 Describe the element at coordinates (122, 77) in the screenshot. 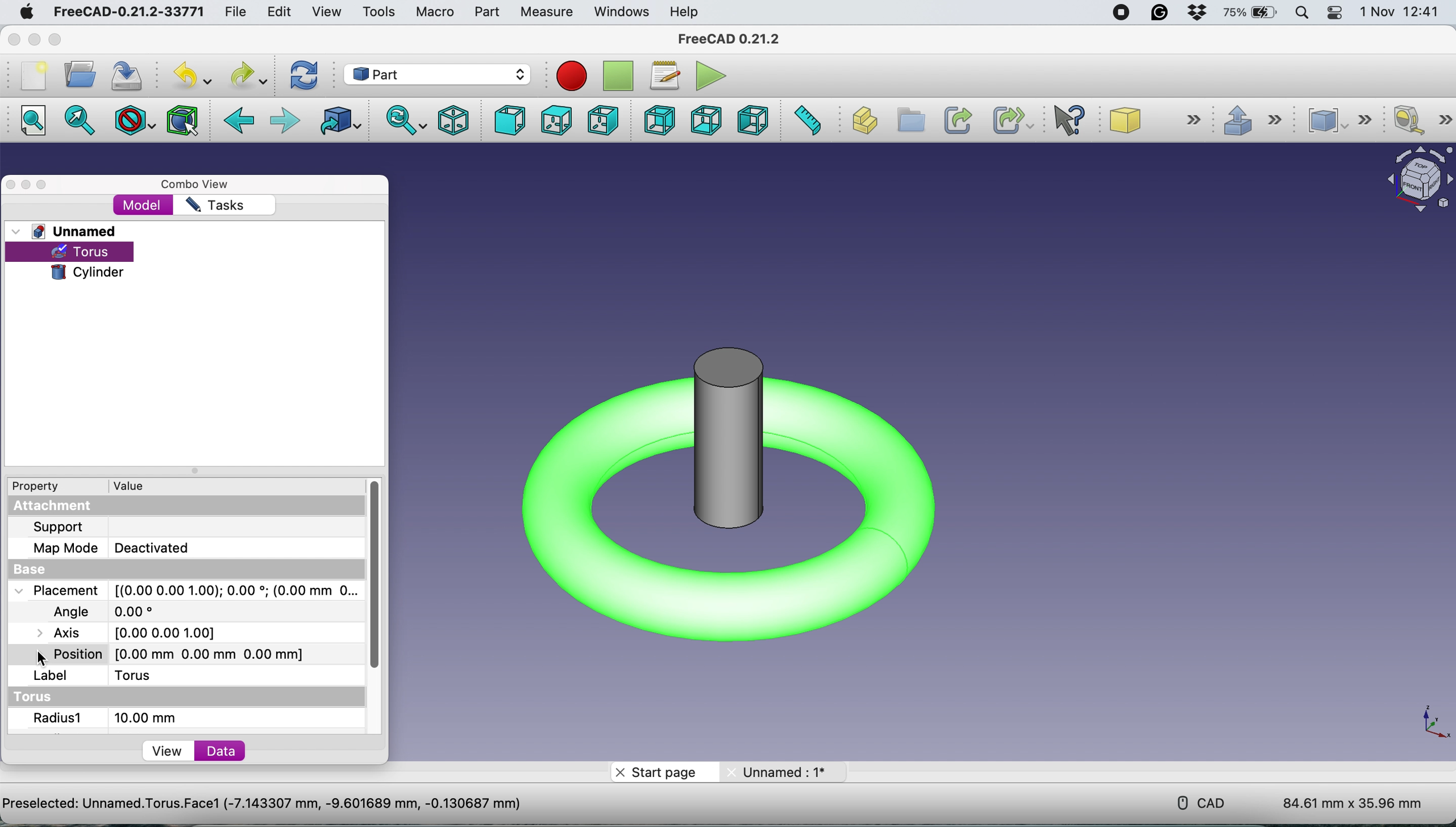

I see `save` at that location.